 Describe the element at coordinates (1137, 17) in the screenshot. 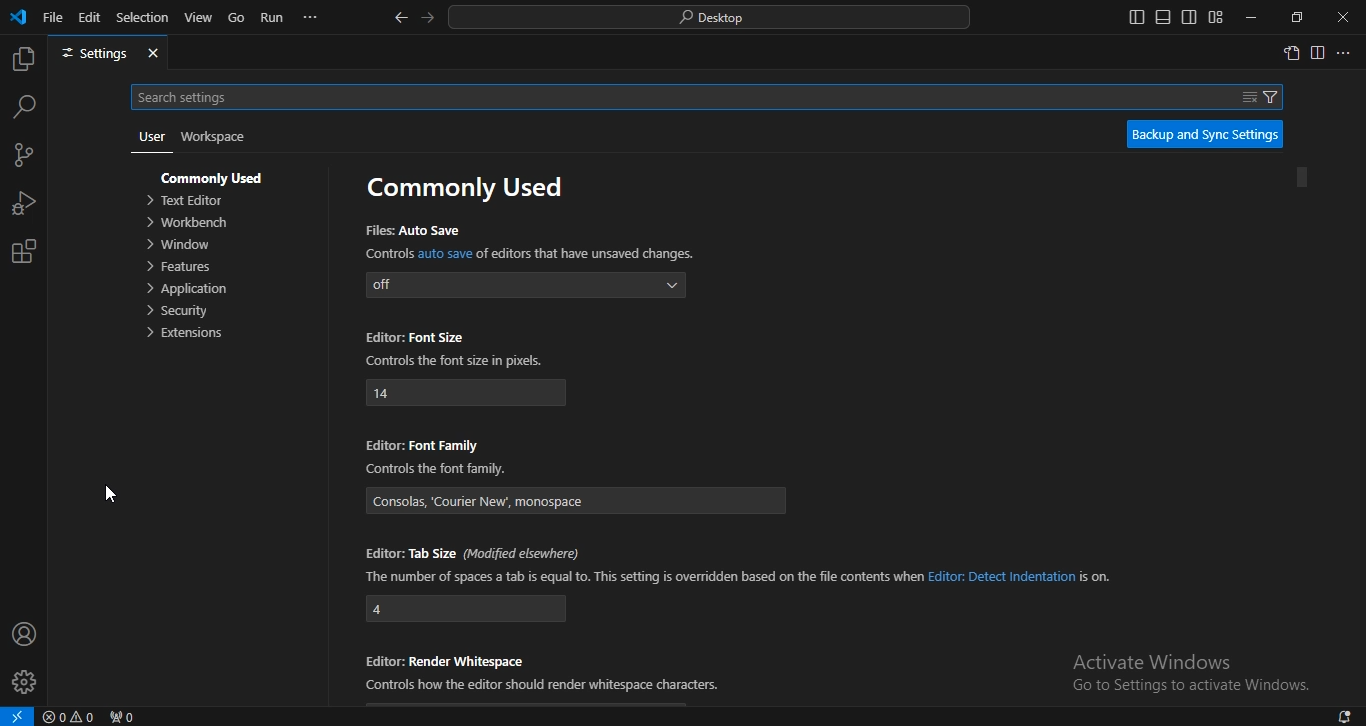

I see `toggle primary side bar` at that location.